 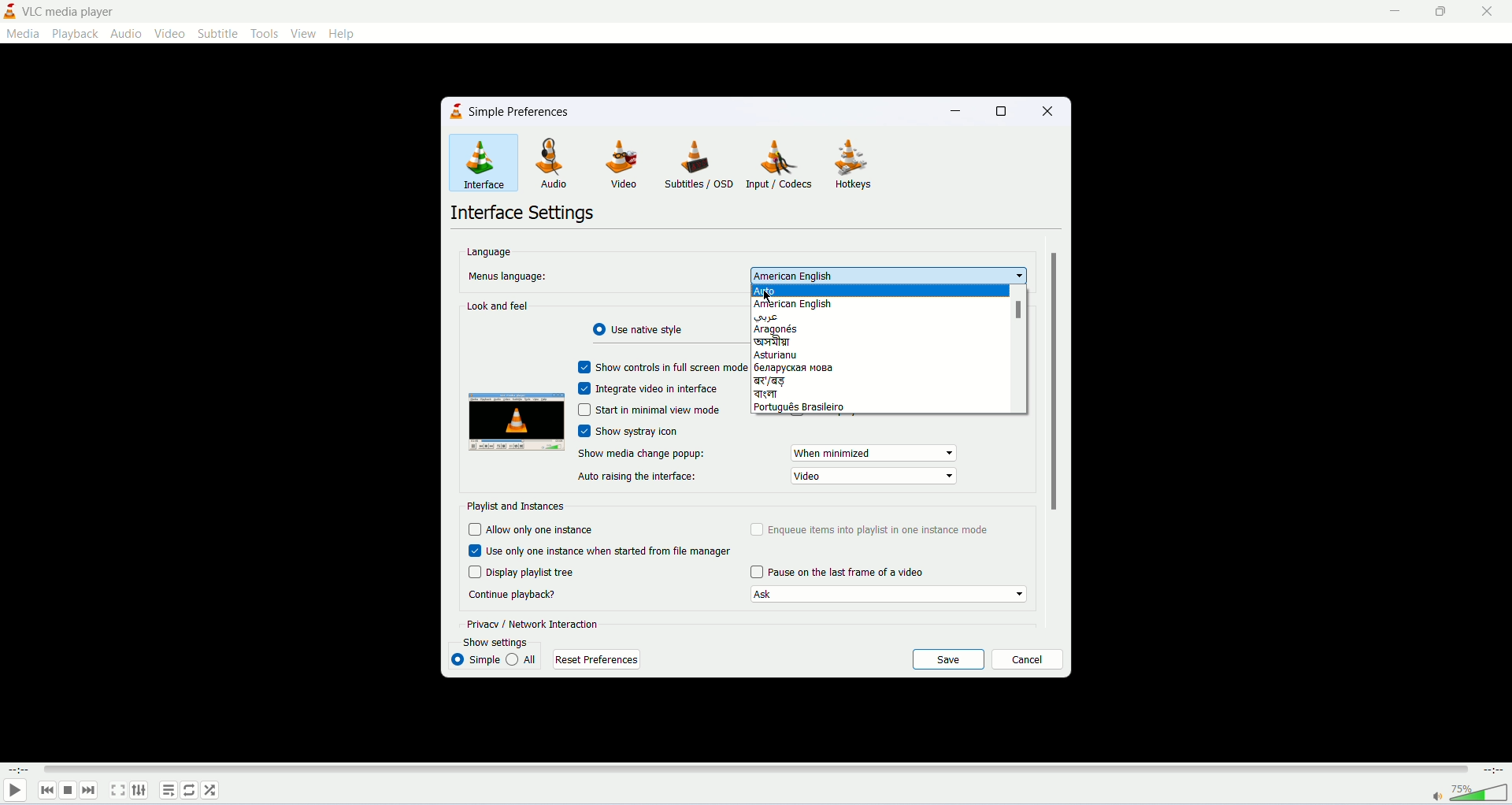 I want to click on auto raising the interface, so click(x=636, y=477).